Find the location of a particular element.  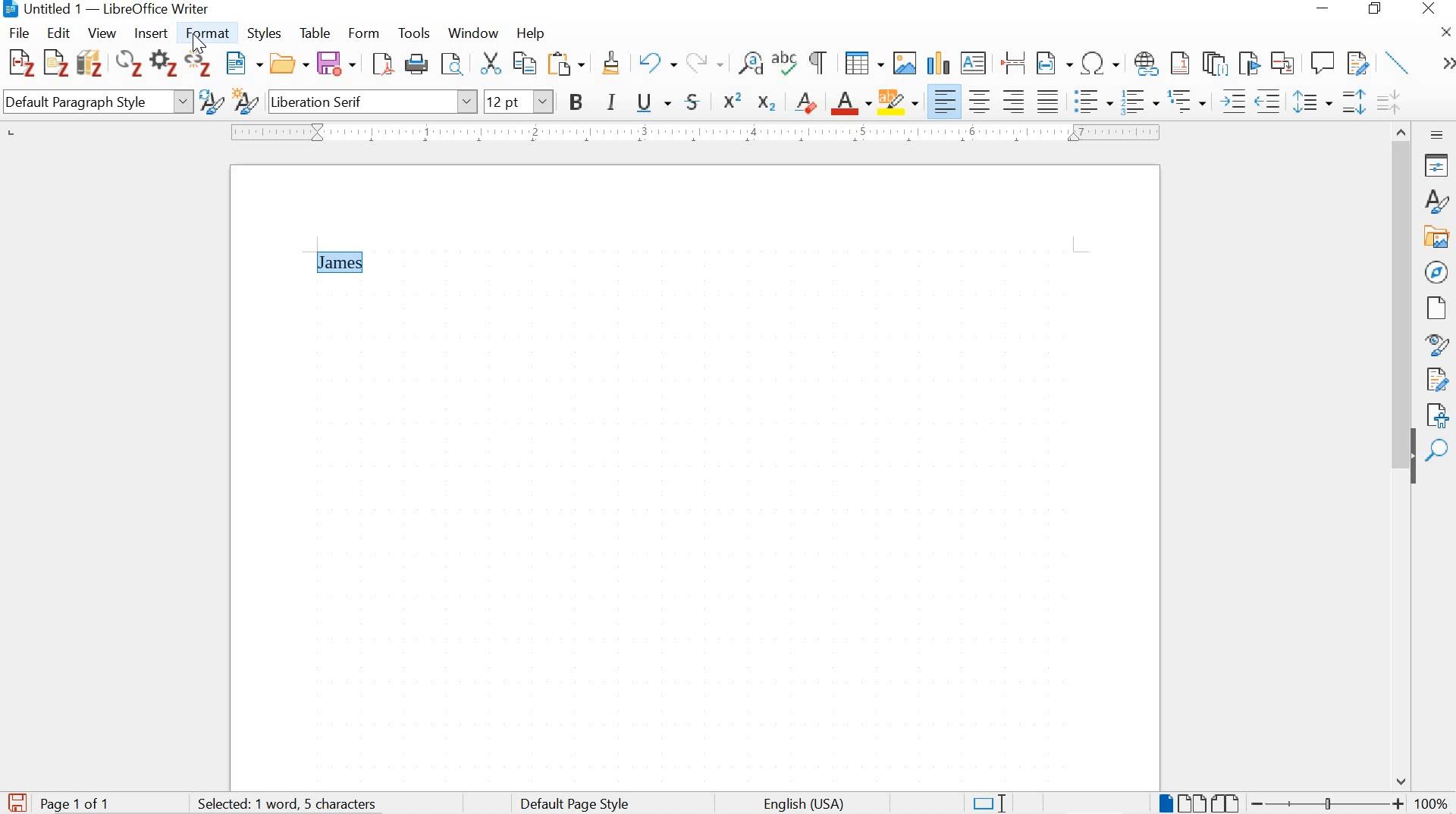

style inspector is located at coordinates (1437, 346).